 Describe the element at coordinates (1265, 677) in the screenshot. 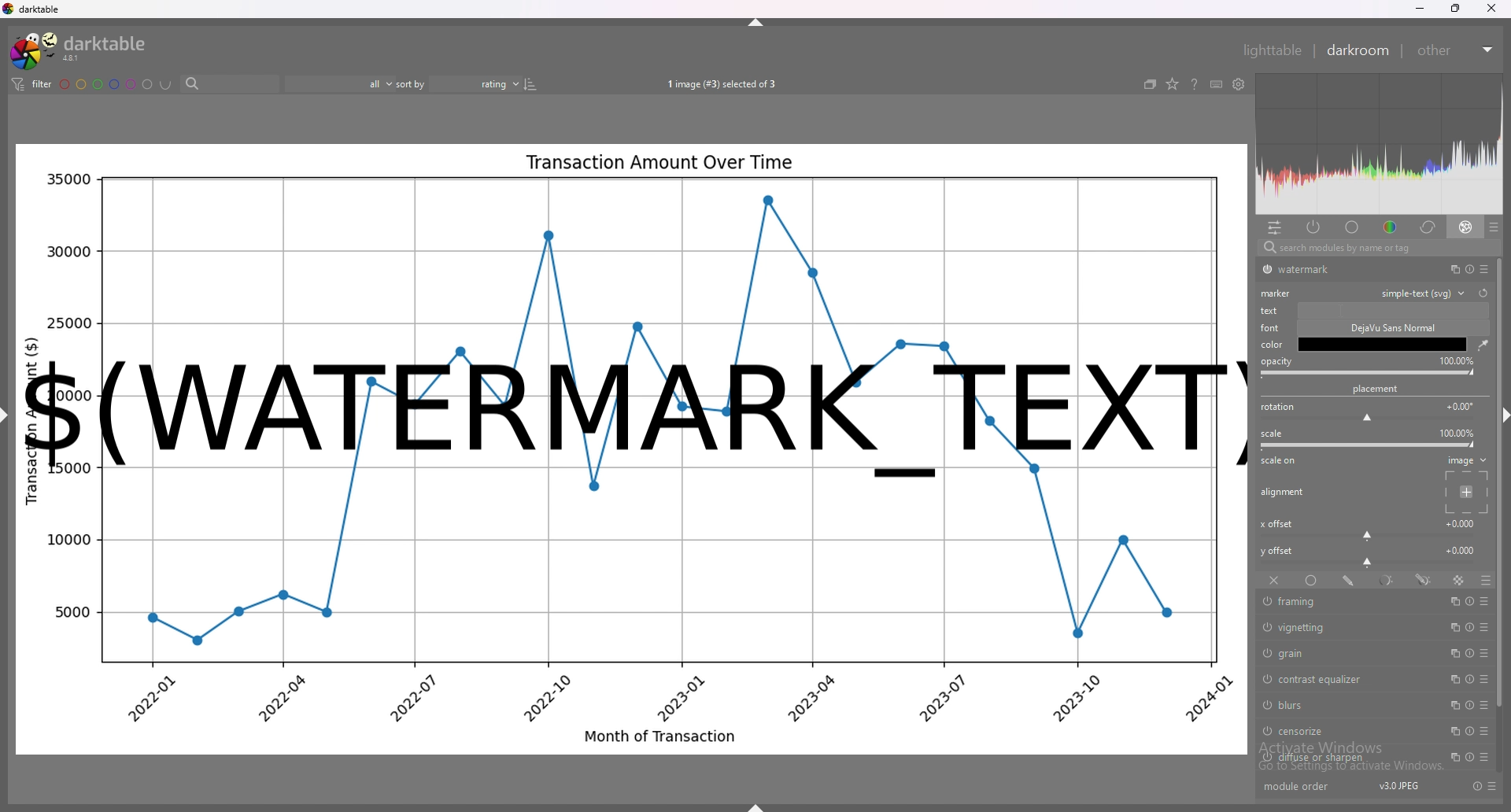

I see `switch off` at that location.